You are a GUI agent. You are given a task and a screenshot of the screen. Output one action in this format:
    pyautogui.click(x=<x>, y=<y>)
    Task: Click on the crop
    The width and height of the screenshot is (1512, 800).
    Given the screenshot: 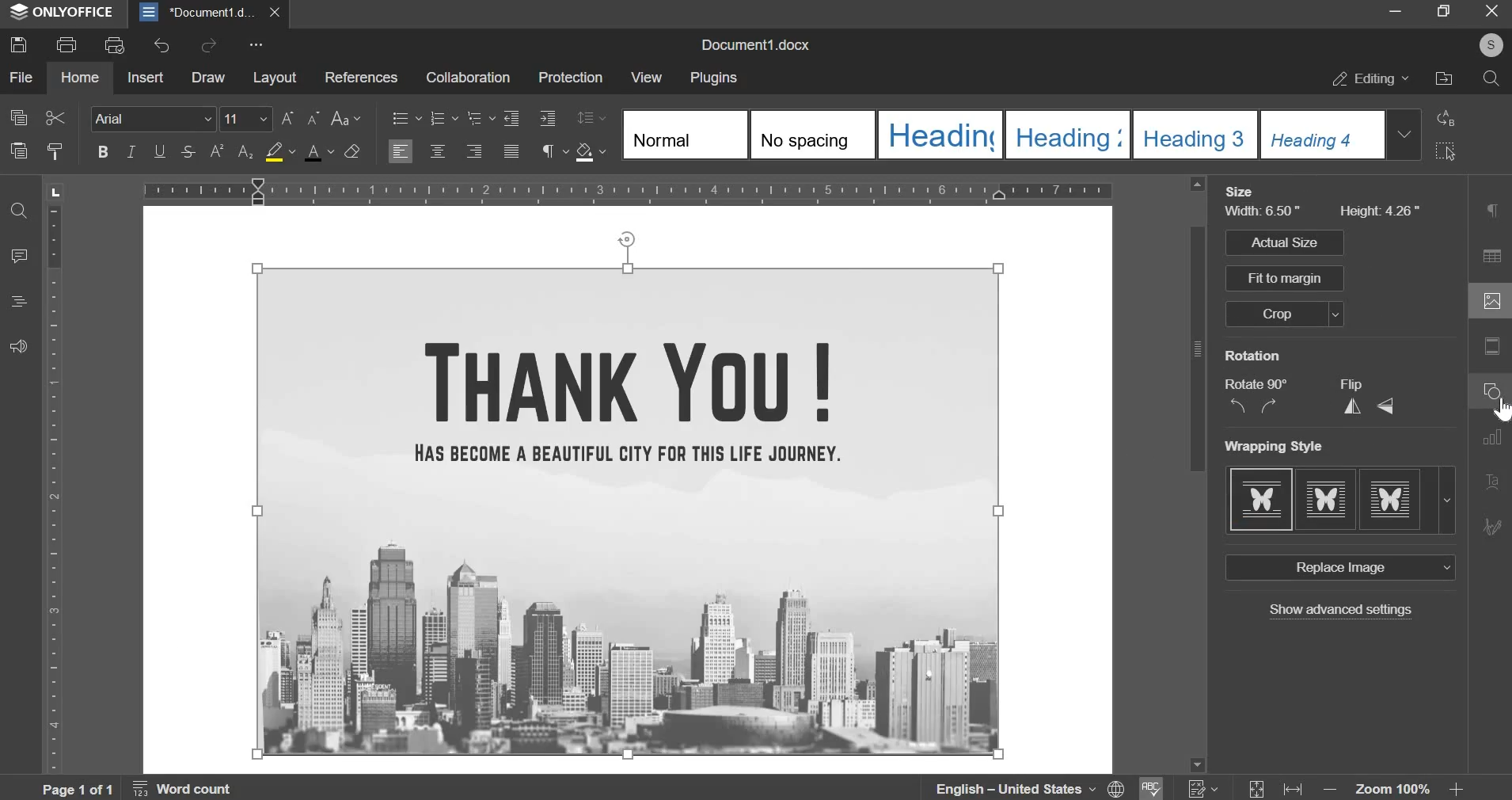 What is the action you would take?
    pyautogui.click(x=1285, y=315)
    